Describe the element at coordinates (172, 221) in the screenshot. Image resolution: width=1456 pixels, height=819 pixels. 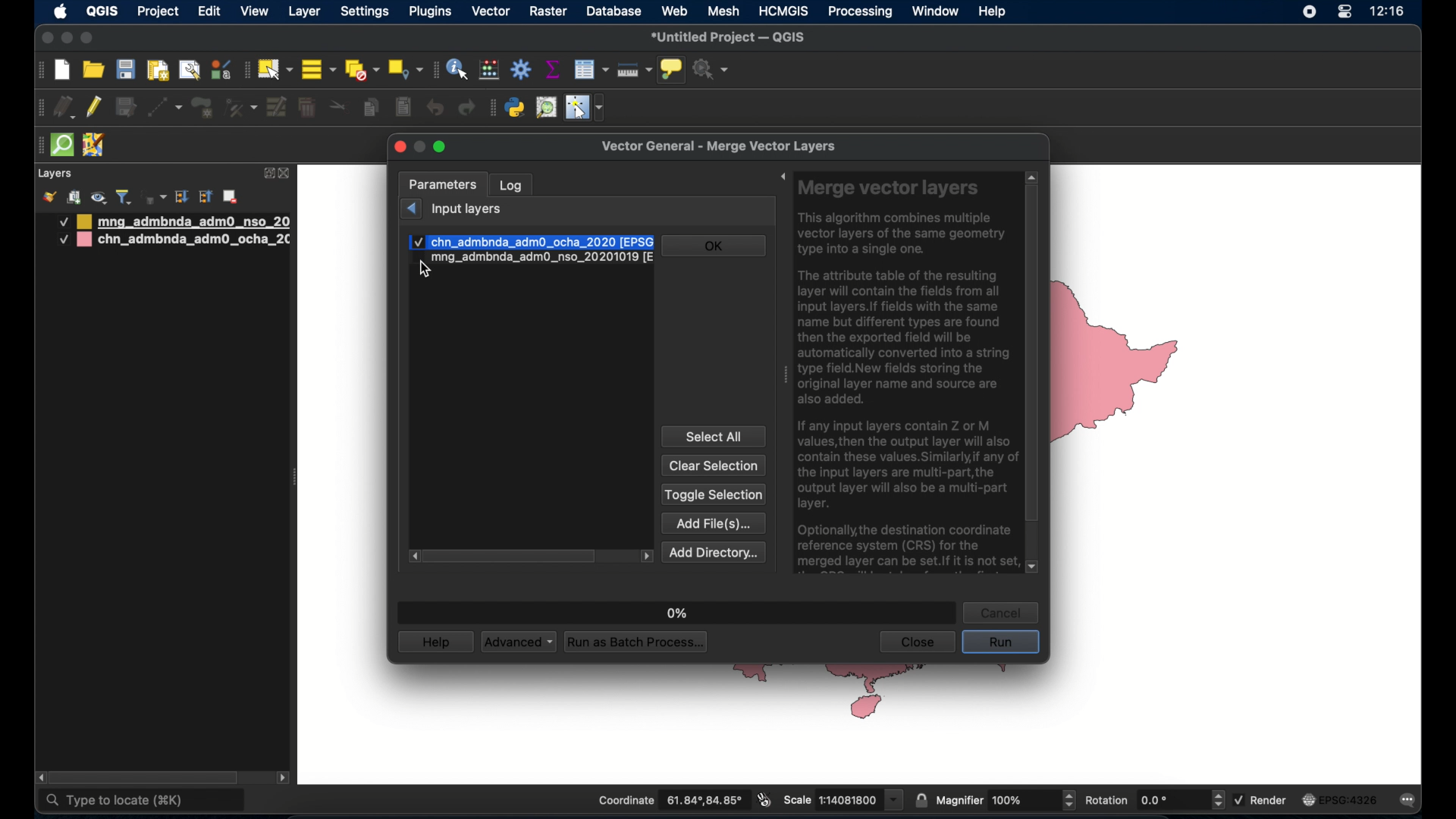
I see `mongolia administrative boundary layer 1` at that location.